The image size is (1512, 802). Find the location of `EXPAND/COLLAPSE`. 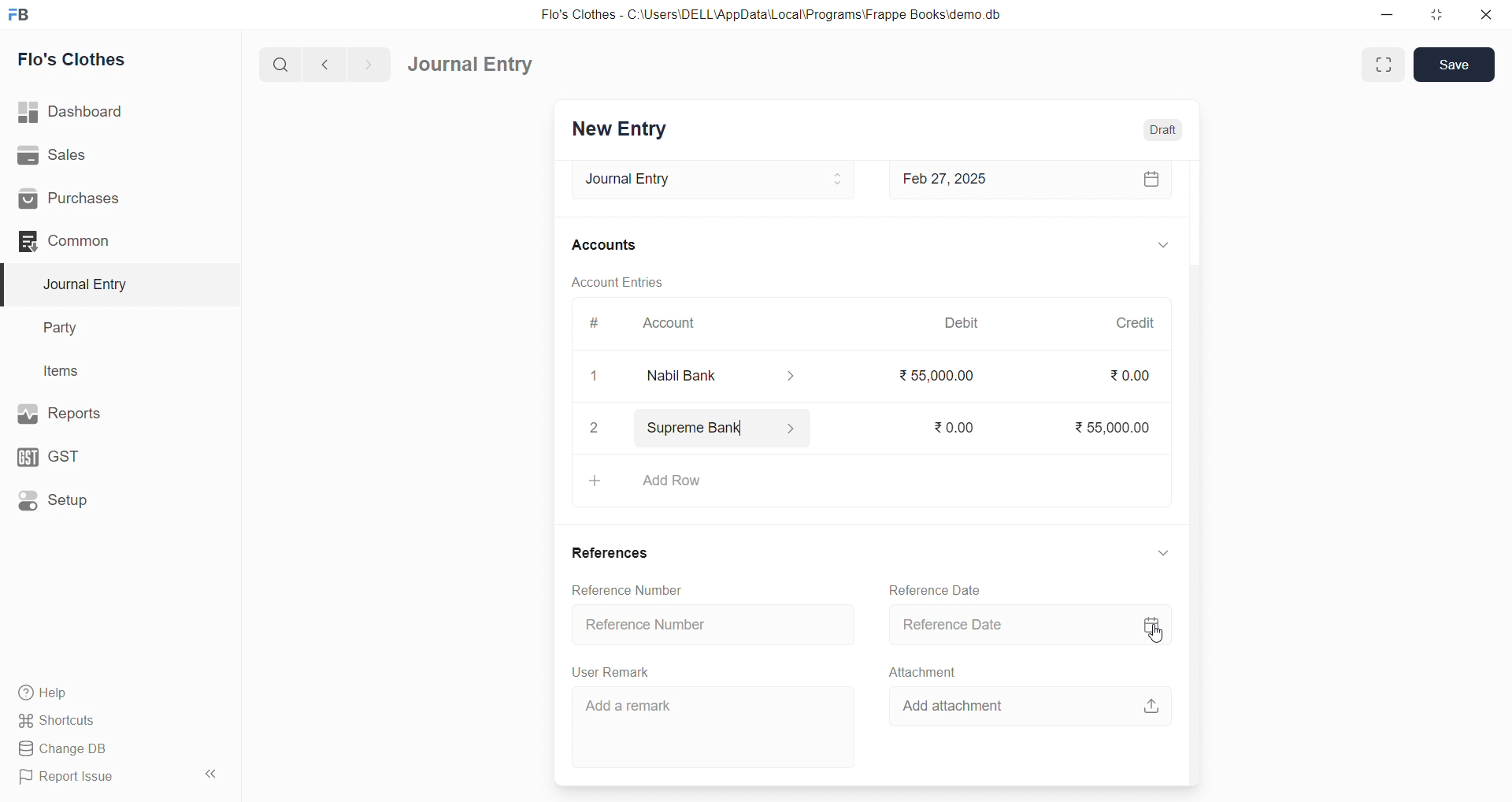

EXPAND/COLLAPSE is located at coordinates (1162, 247).